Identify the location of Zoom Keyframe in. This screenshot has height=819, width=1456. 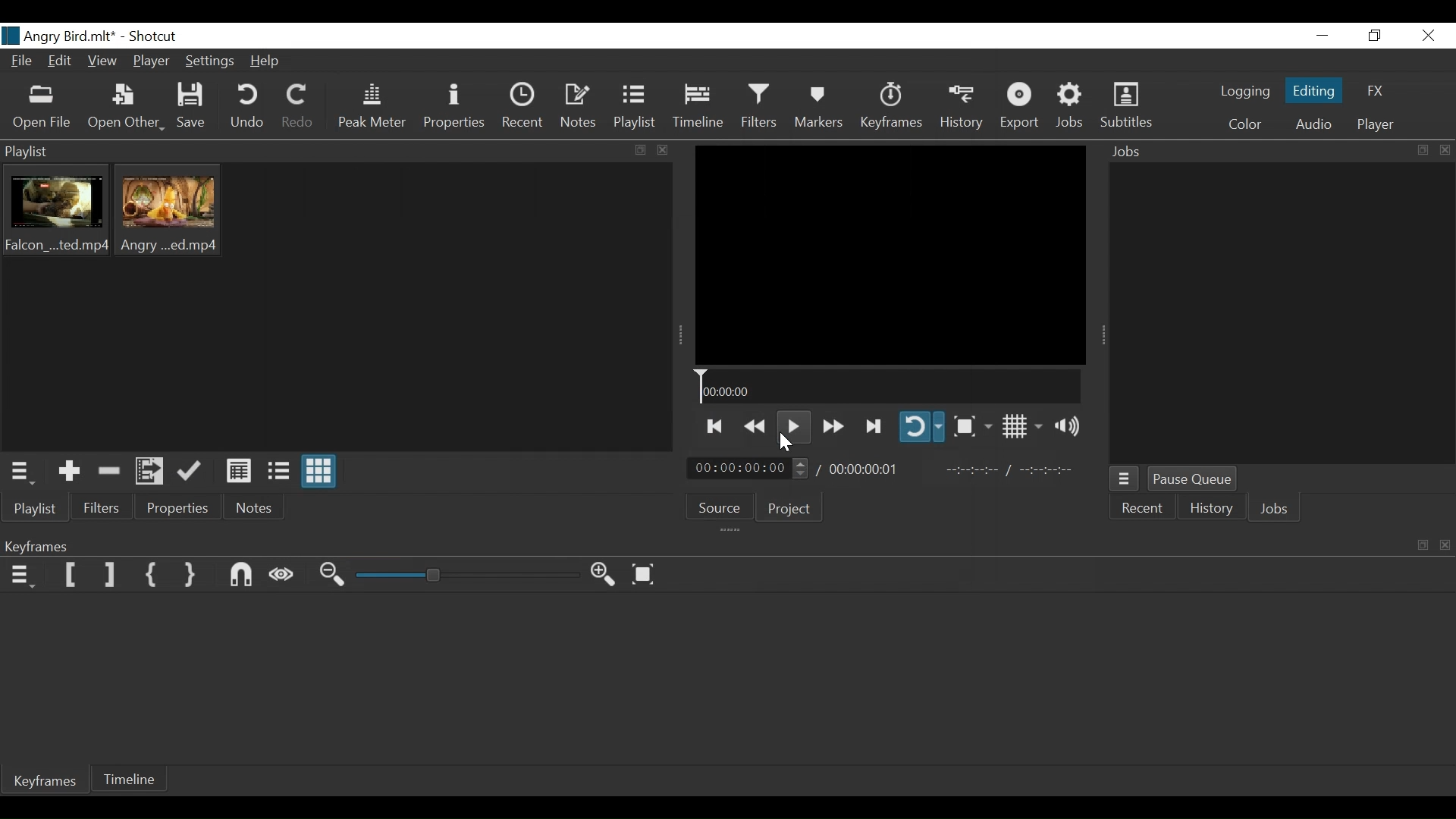
(607, 576).